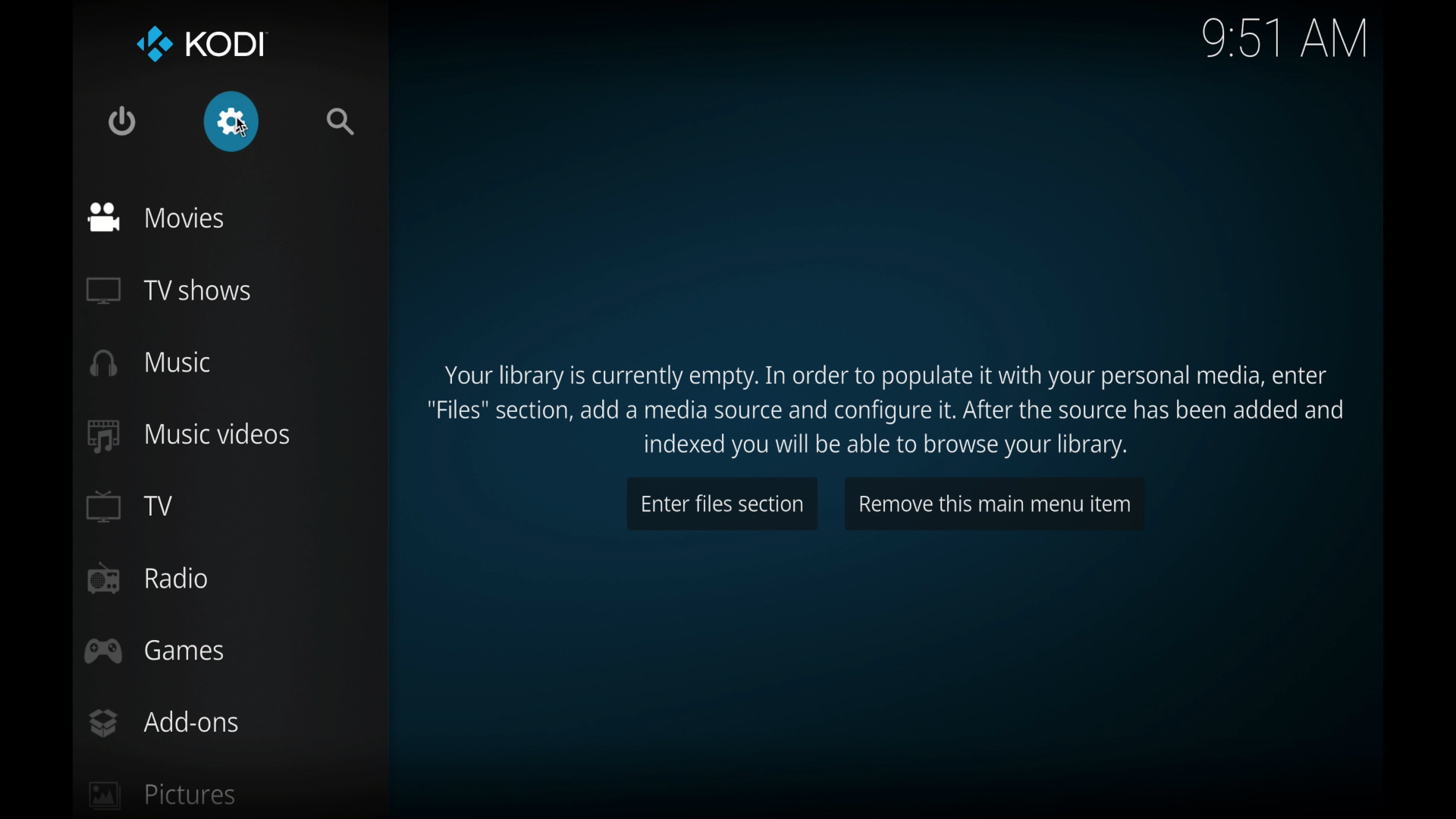  I want to click on TV shows, so click(171, 290).